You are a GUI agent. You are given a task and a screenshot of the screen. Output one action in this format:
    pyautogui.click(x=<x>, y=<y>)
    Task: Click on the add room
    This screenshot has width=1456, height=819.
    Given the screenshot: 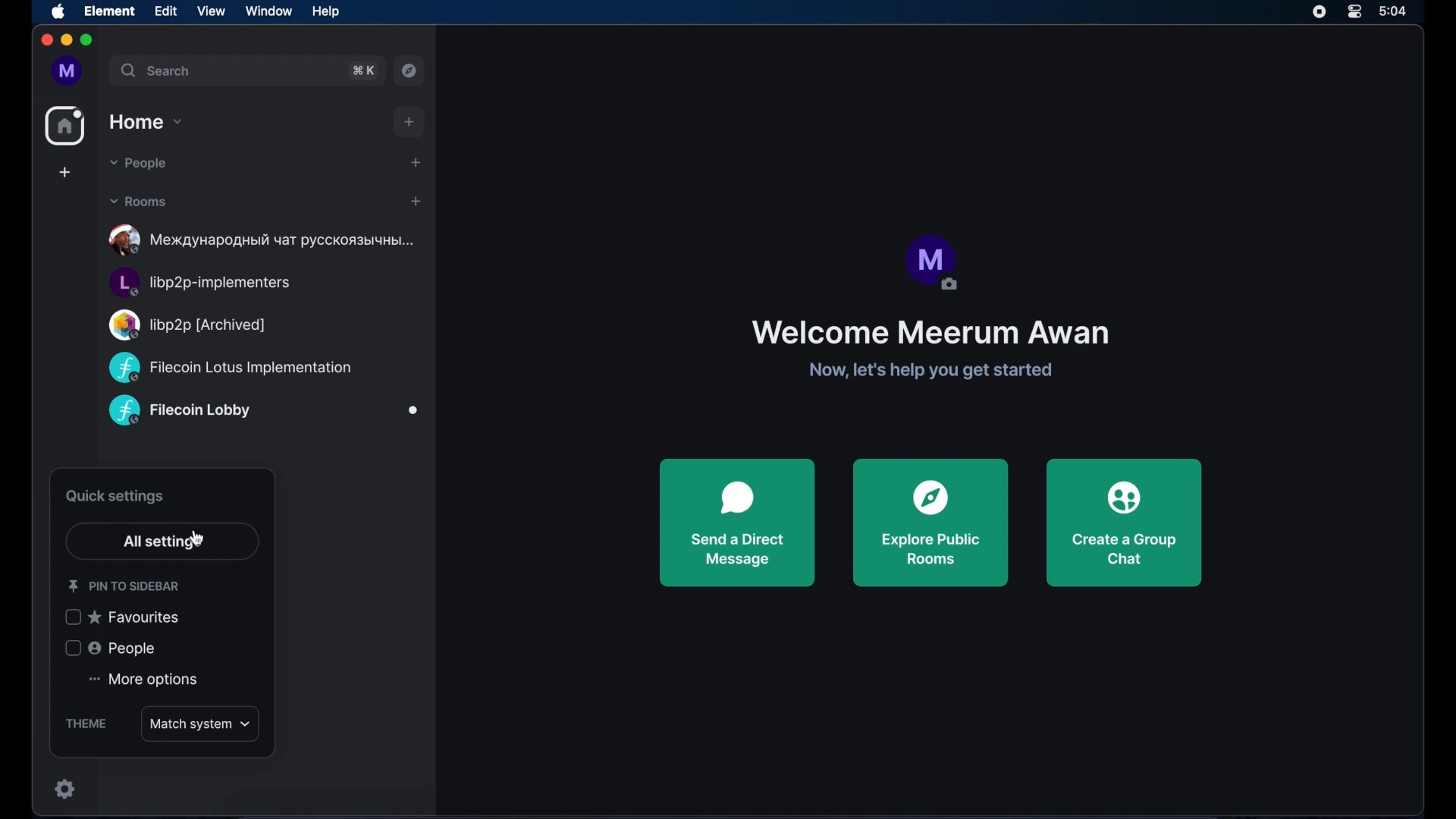 What is the action you would take?
    pyautogui.click(x=410, y=122)
    